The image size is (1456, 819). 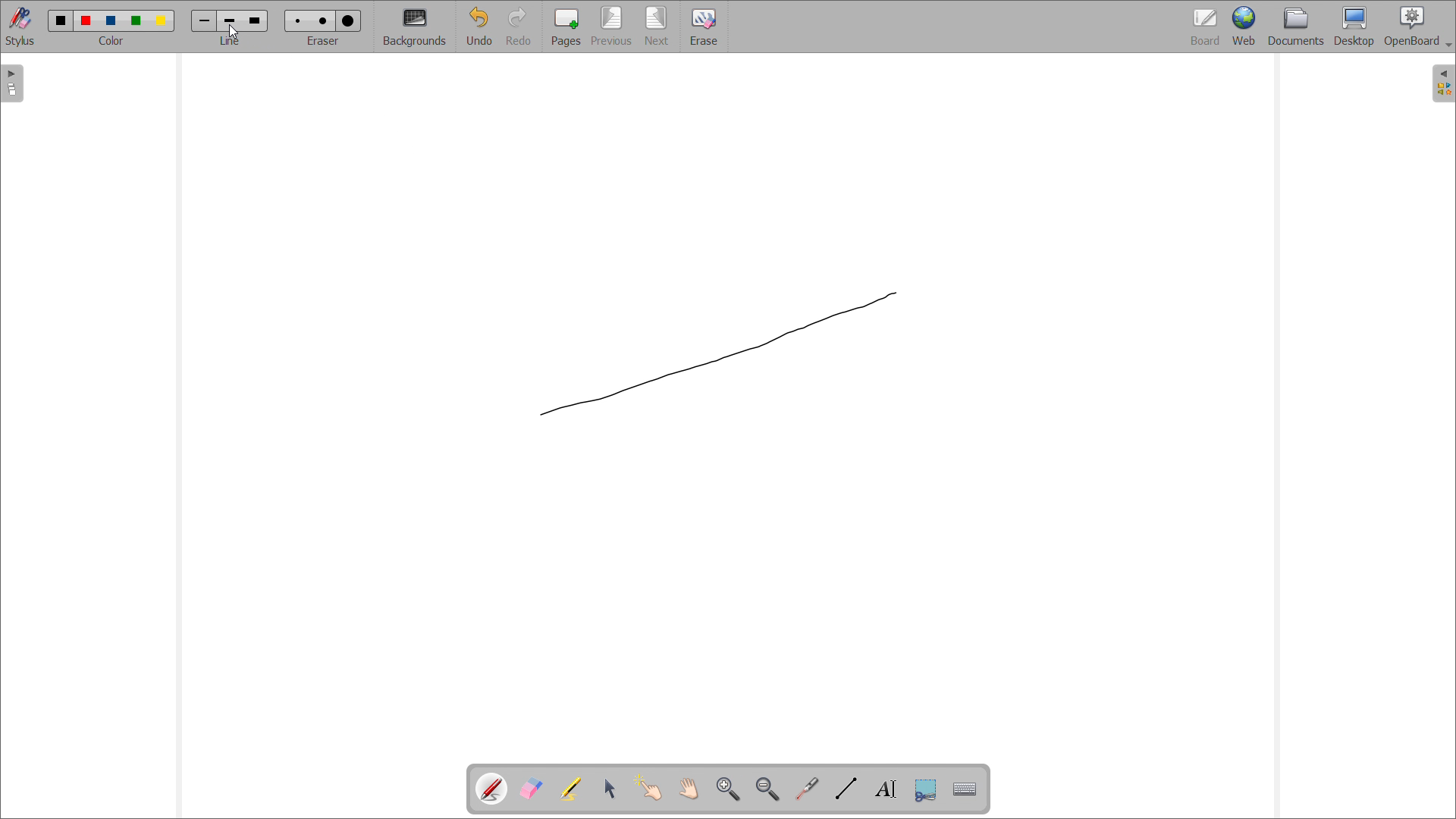 I want to click on color, so click(x=161, y=21).